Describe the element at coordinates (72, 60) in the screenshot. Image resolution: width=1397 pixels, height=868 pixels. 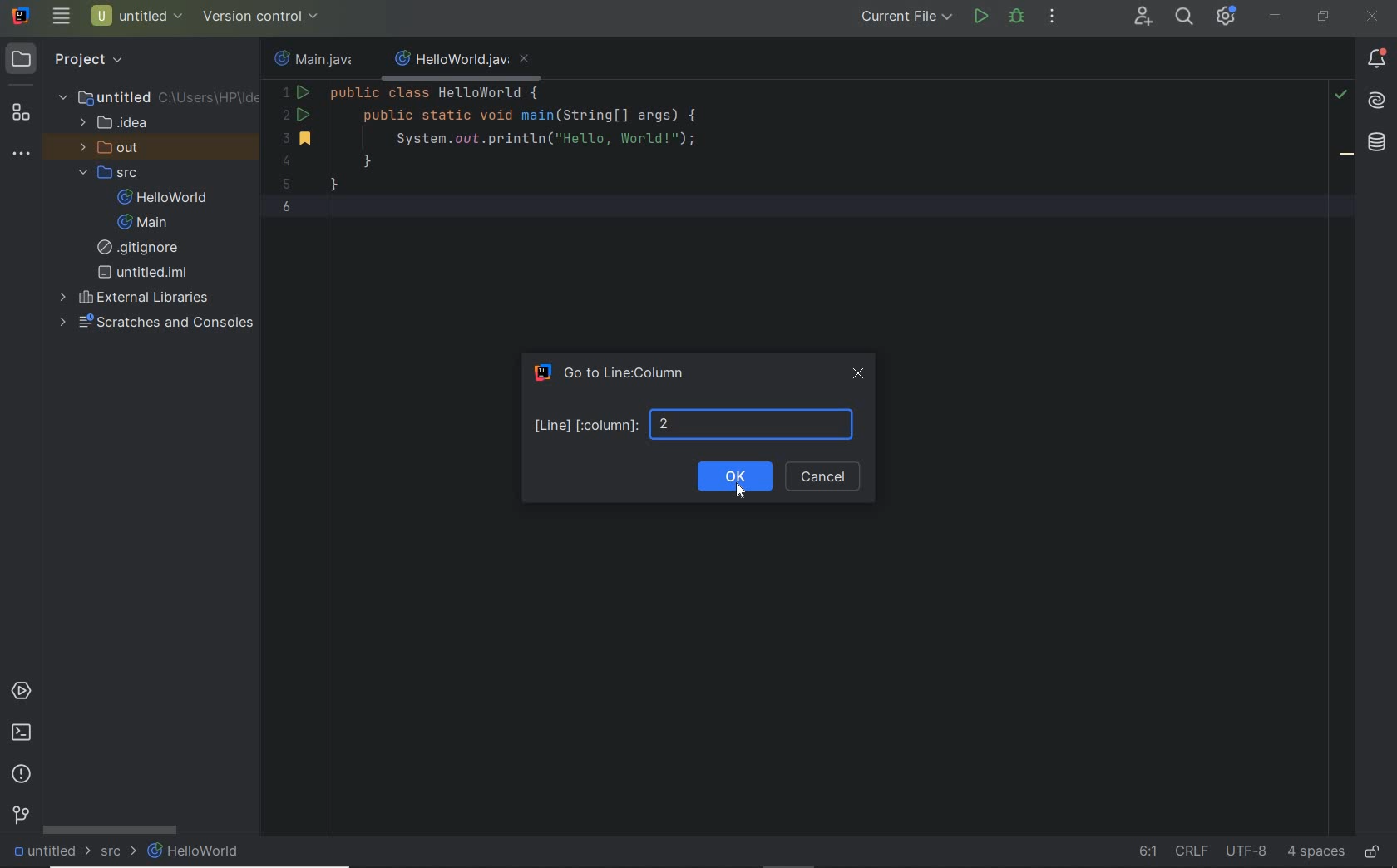
I see `project` at that location.